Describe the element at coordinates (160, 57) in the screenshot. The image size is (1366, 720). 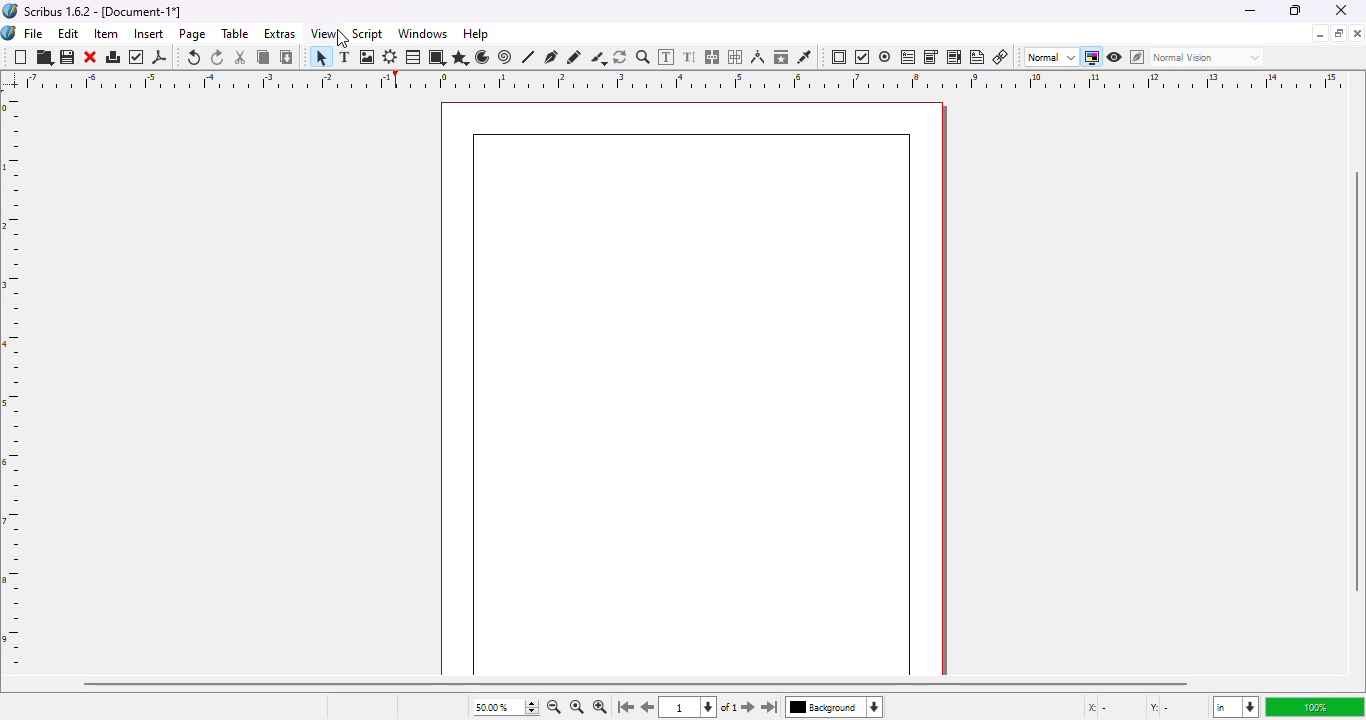
I see `export as PDF` at that location.